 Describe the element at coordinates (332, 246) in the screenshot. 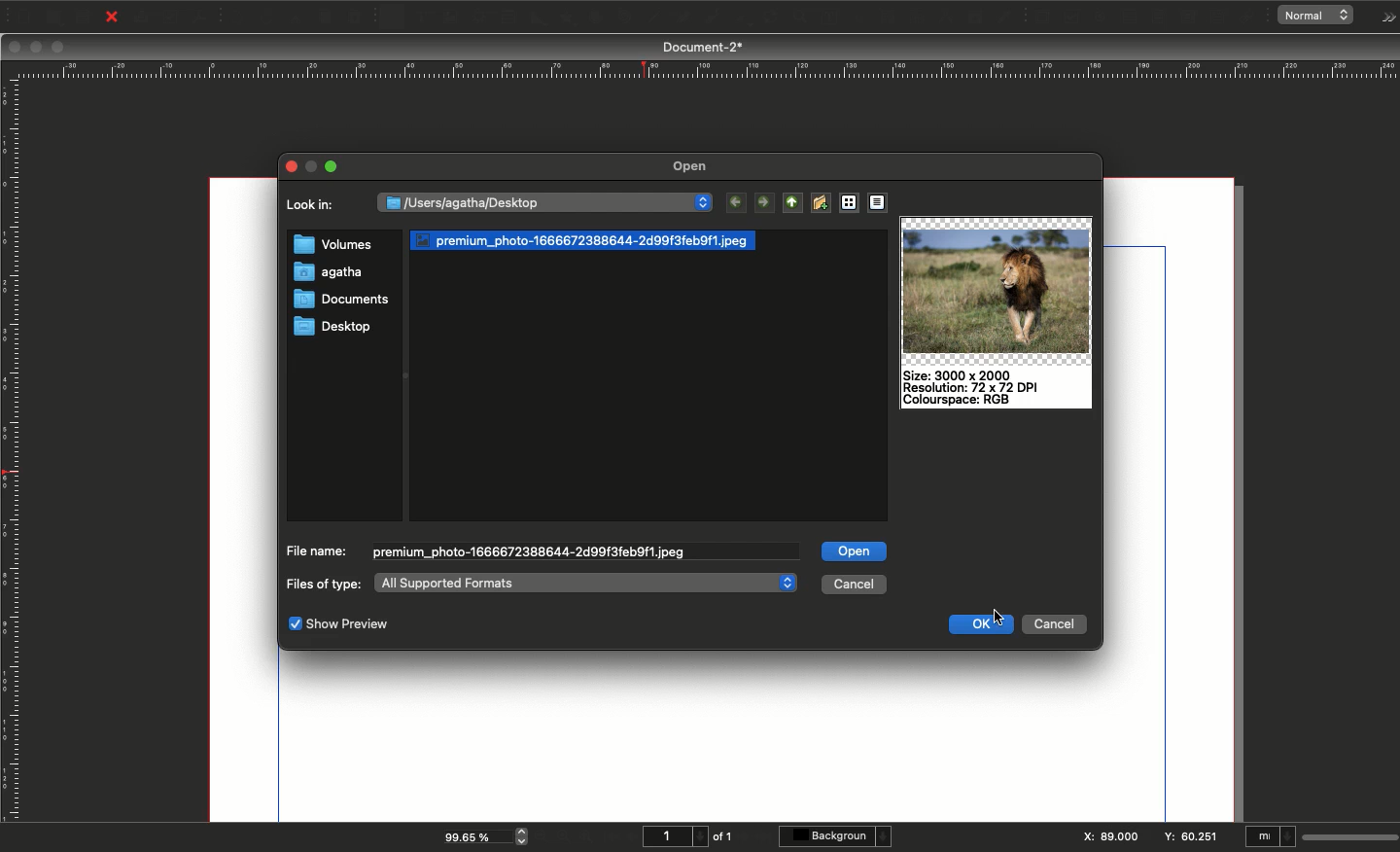

I see `Volumes` at that location.